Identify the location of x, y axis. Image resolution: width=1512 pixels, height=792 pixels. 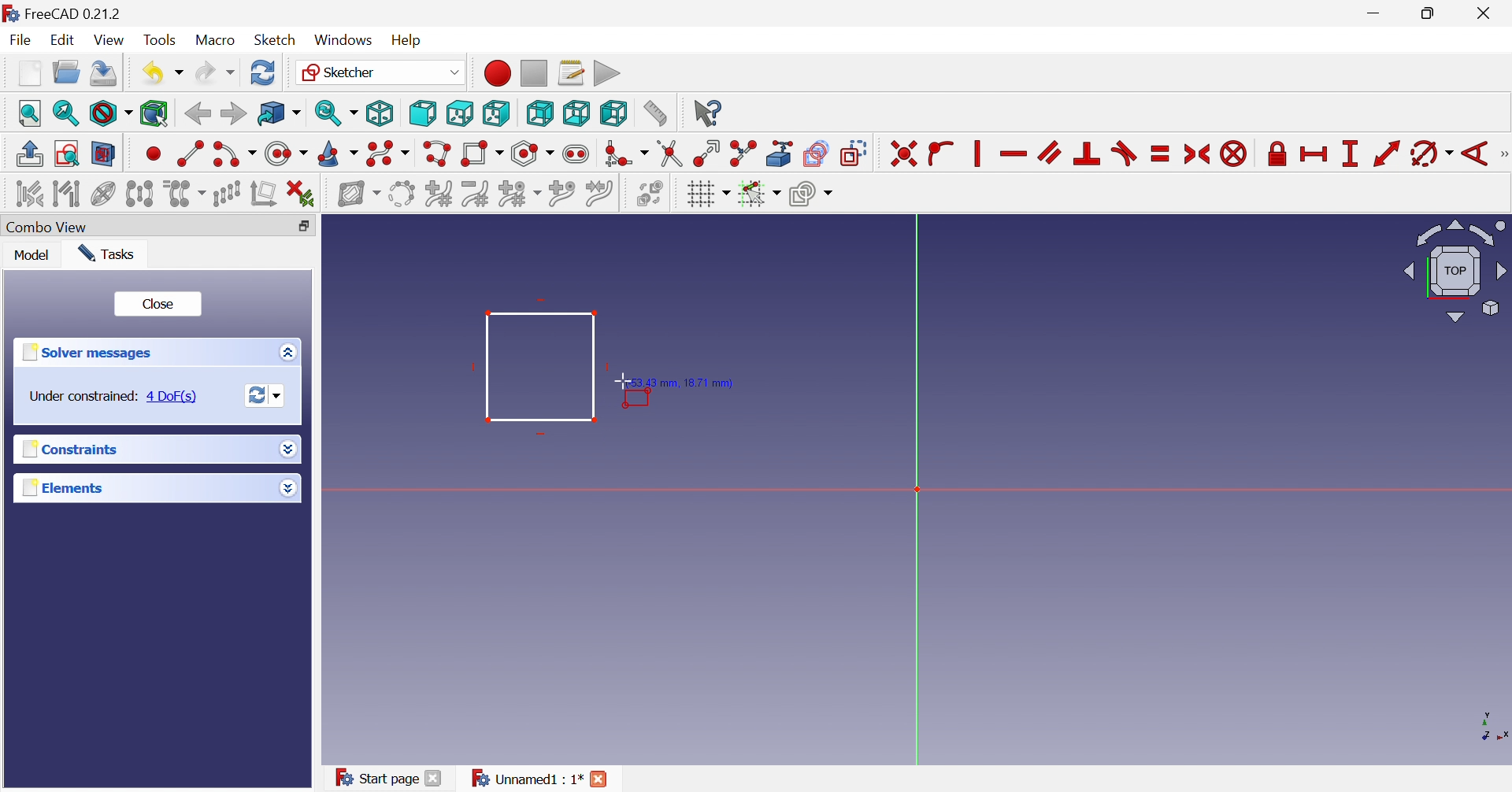
(1490, 726).